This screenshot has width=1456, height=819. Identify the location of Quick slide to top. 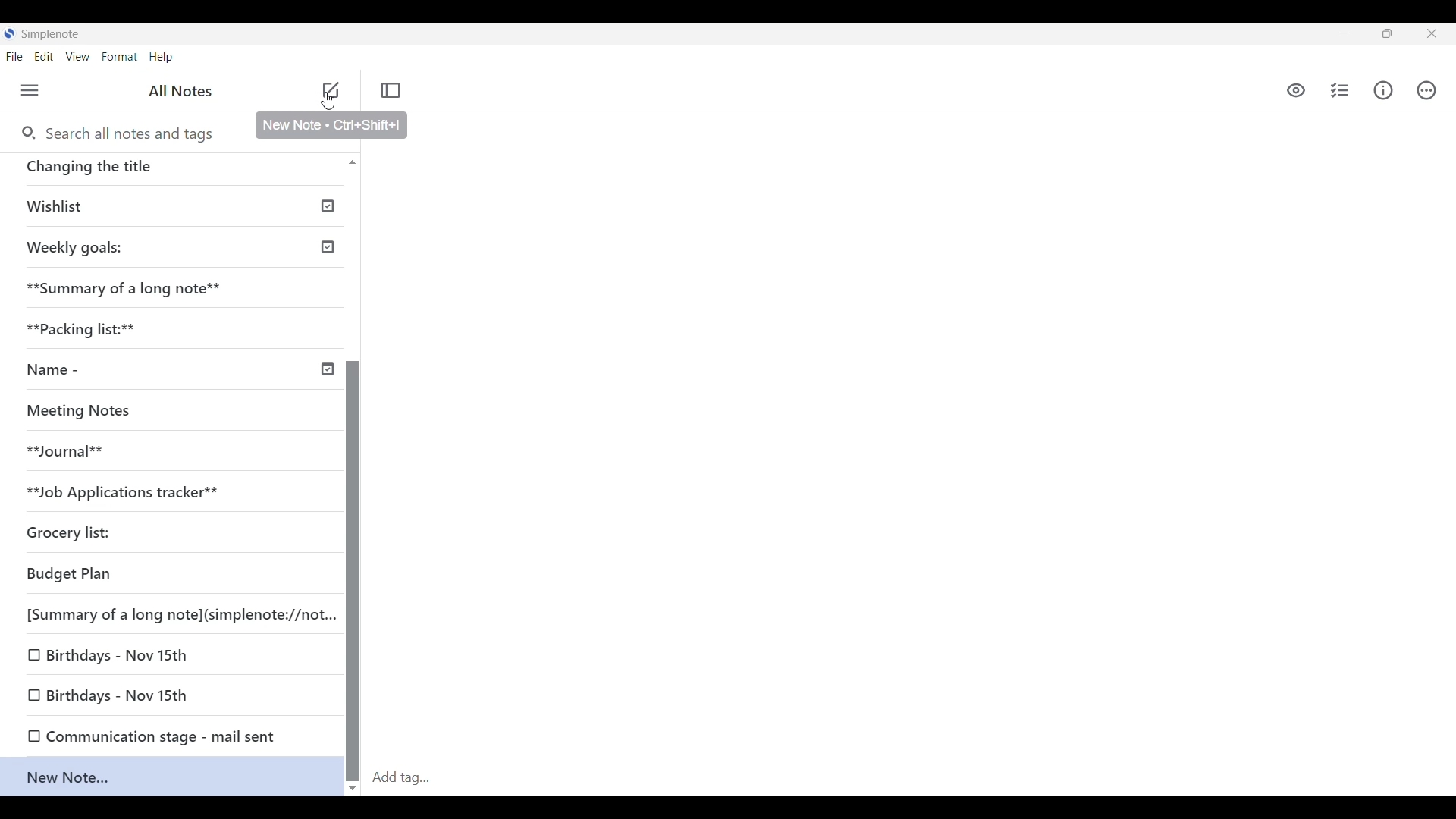
(352, 162).